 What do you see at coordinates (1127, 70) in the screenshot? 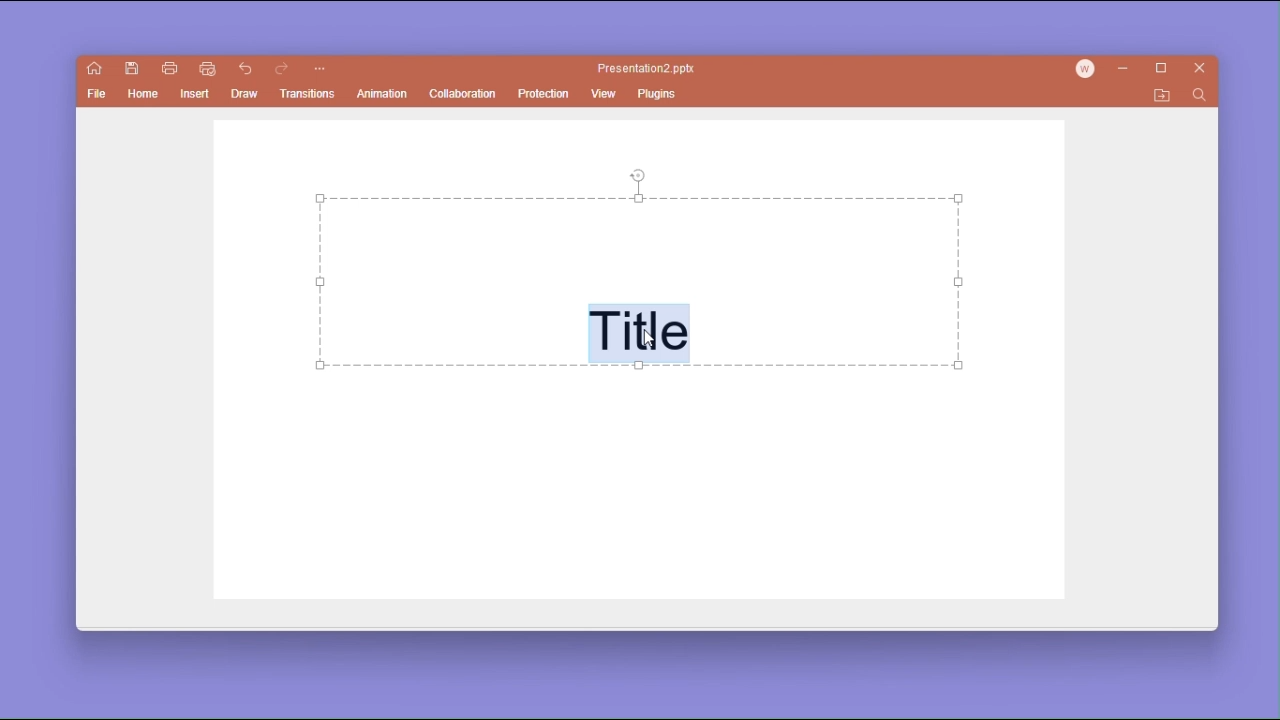
I see `minimize` at bounding box center [1127, 70].